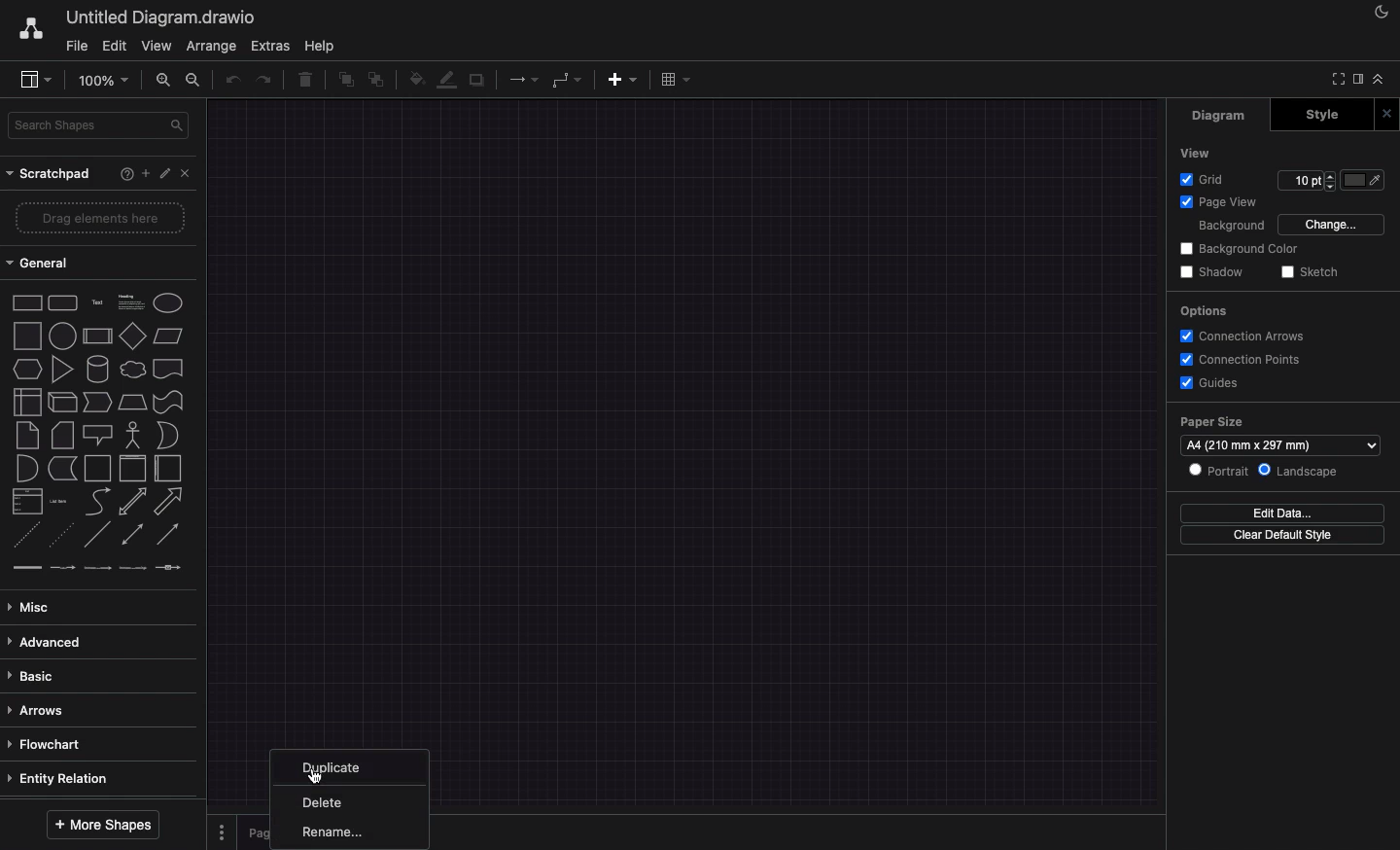 This screenshot has height=850, width=1400. Describe the element at coordinates (134, 533) in the screenshot. I see `bidirectional connector` at that location.